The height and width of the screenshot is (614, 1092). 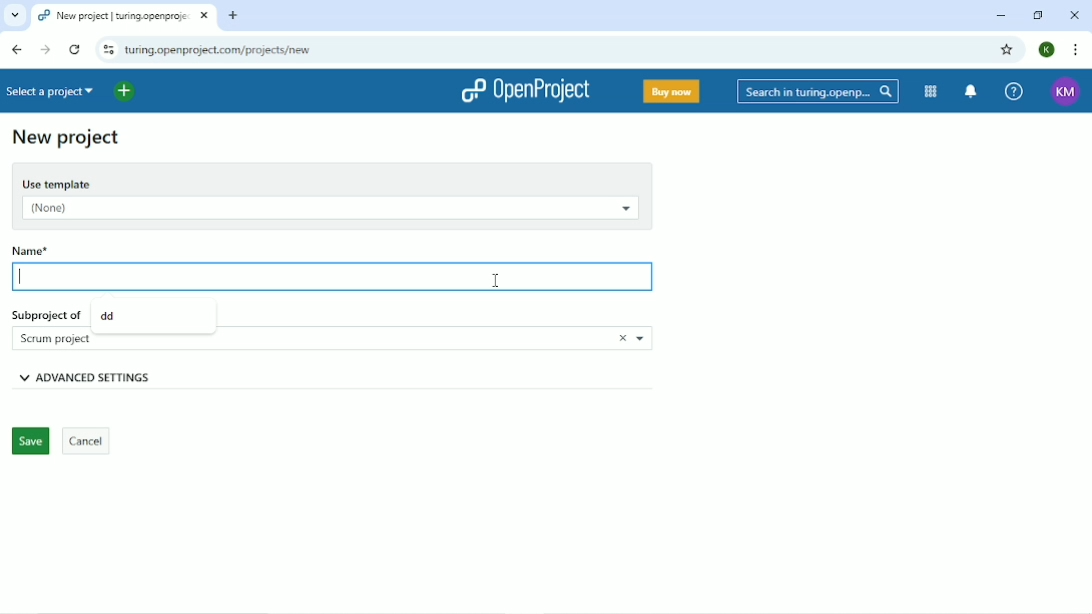 I want to click on Search tabs, so click(x=14, y=16).